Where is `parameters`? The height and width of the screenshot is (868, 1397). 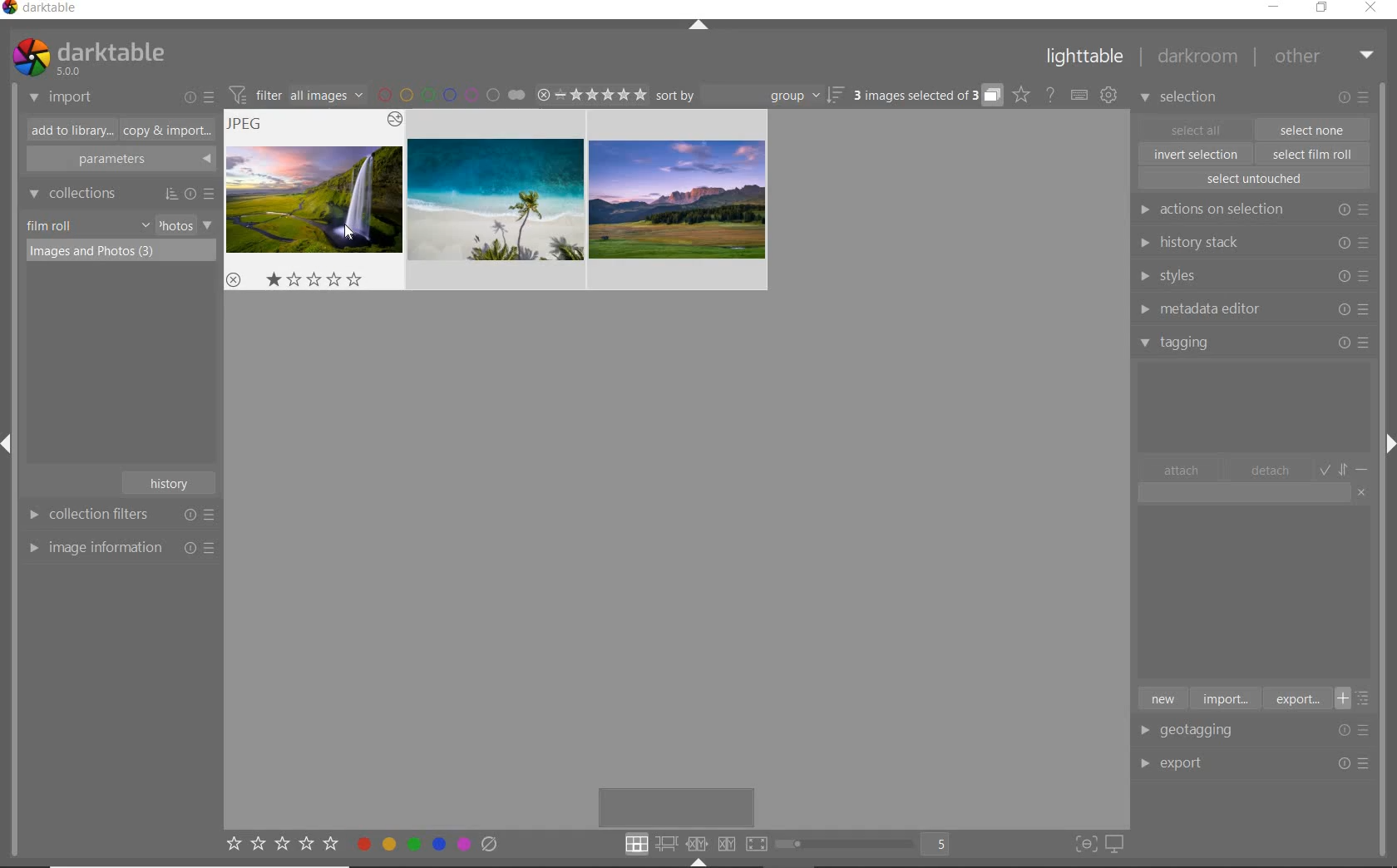
parameters is located at coordinates (119, 160).